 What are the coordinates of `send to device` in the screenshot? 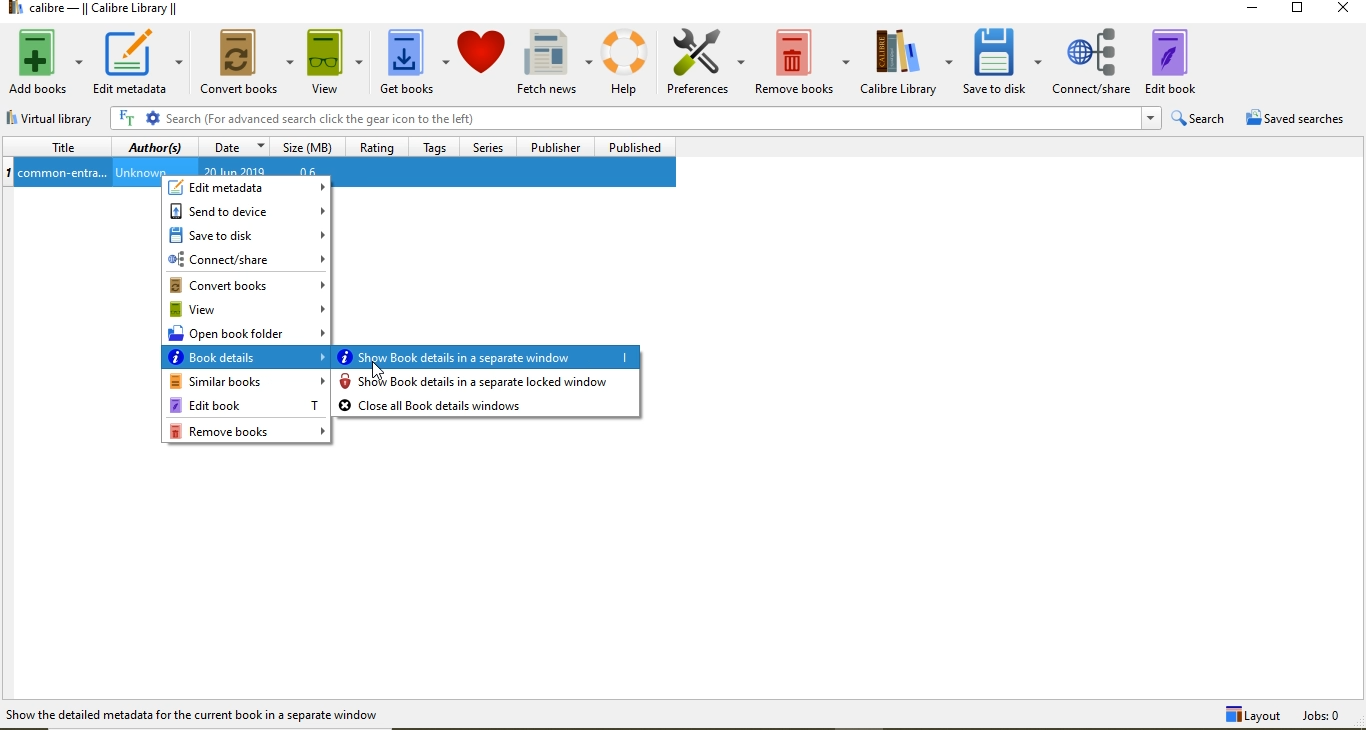 It's located at (246, 211).